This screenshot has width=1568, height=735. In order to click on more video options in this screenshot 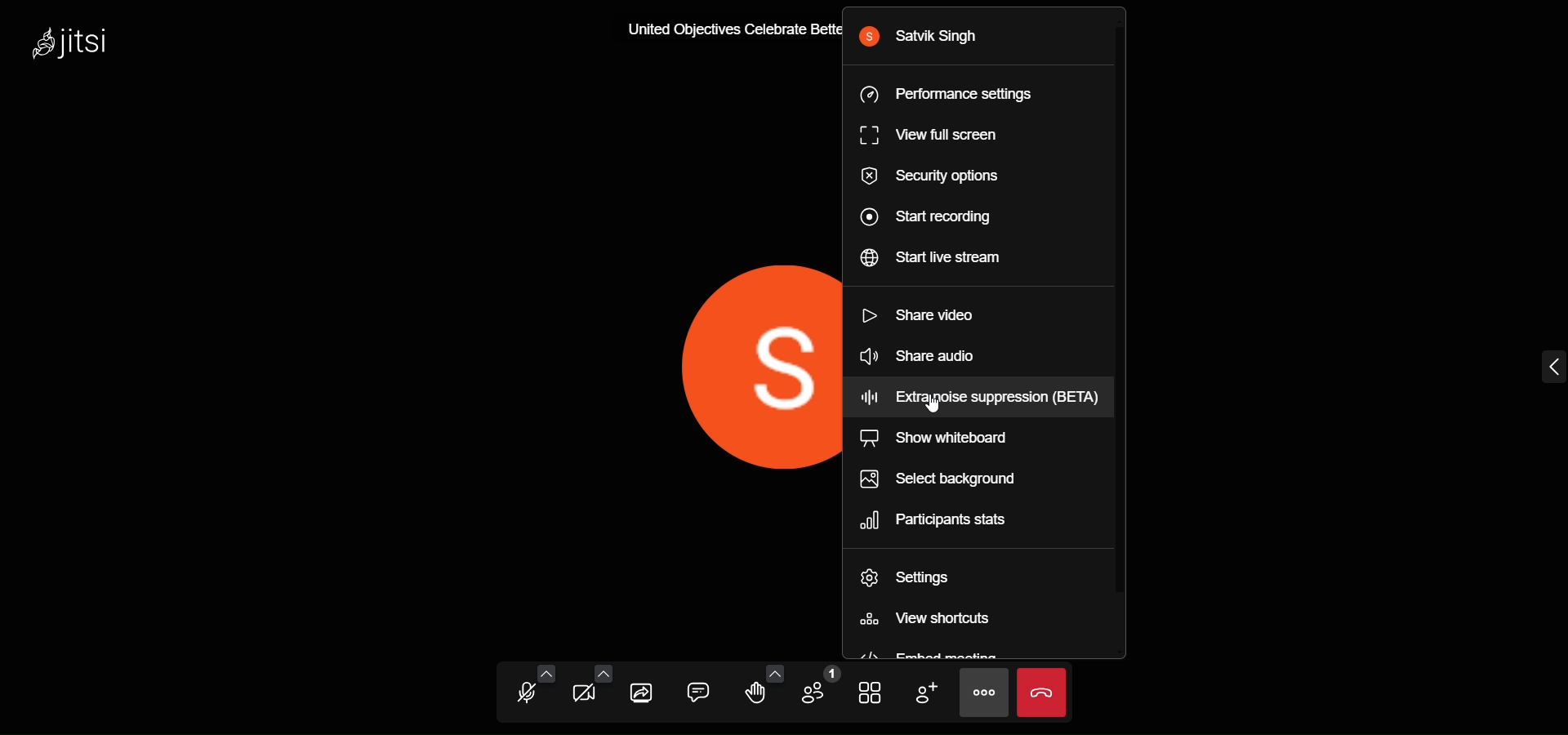, I will do `click(604, 673)`.